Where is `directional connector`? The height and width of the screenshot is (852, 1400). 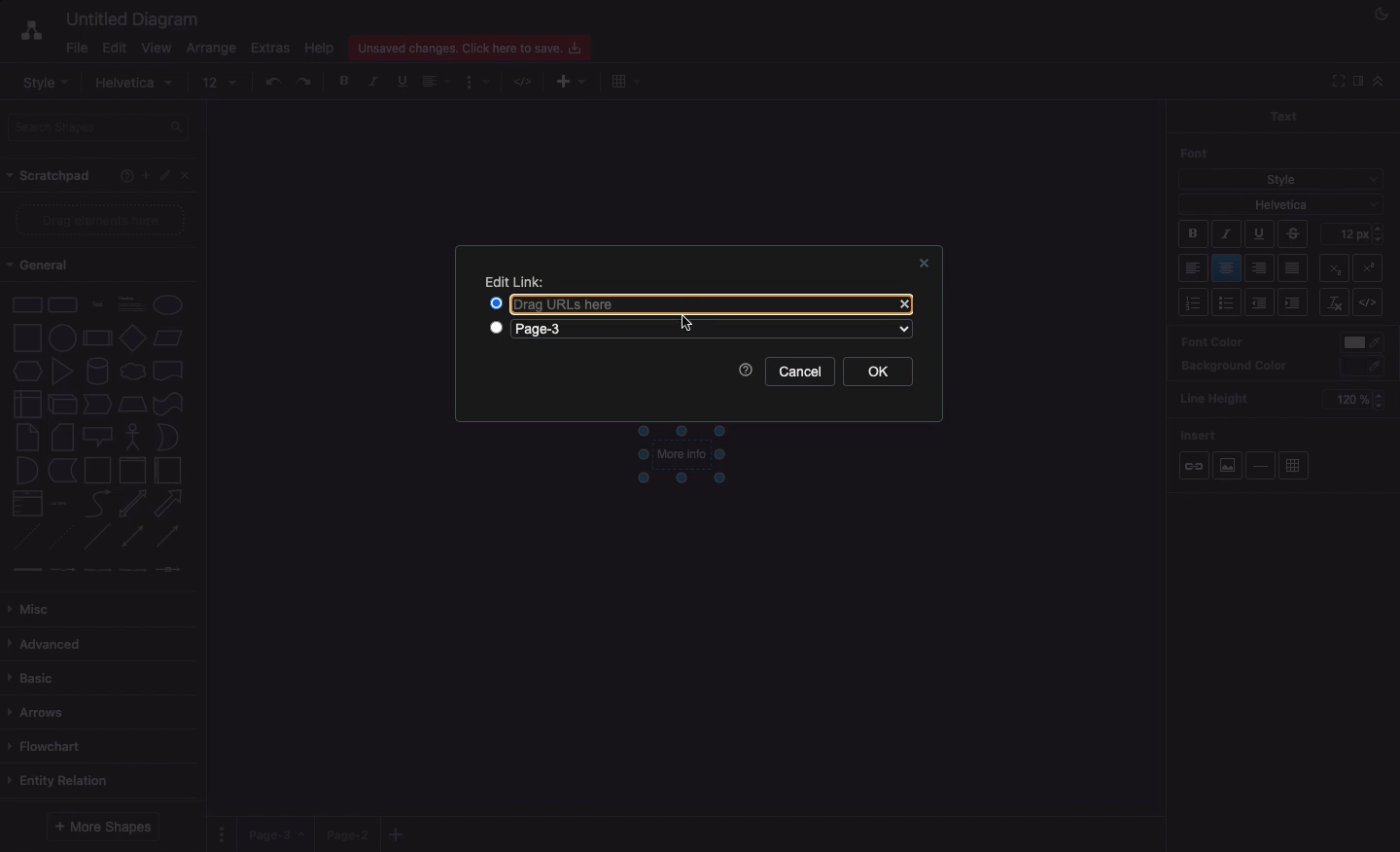 directional connector is located at coordinates (168, 537).